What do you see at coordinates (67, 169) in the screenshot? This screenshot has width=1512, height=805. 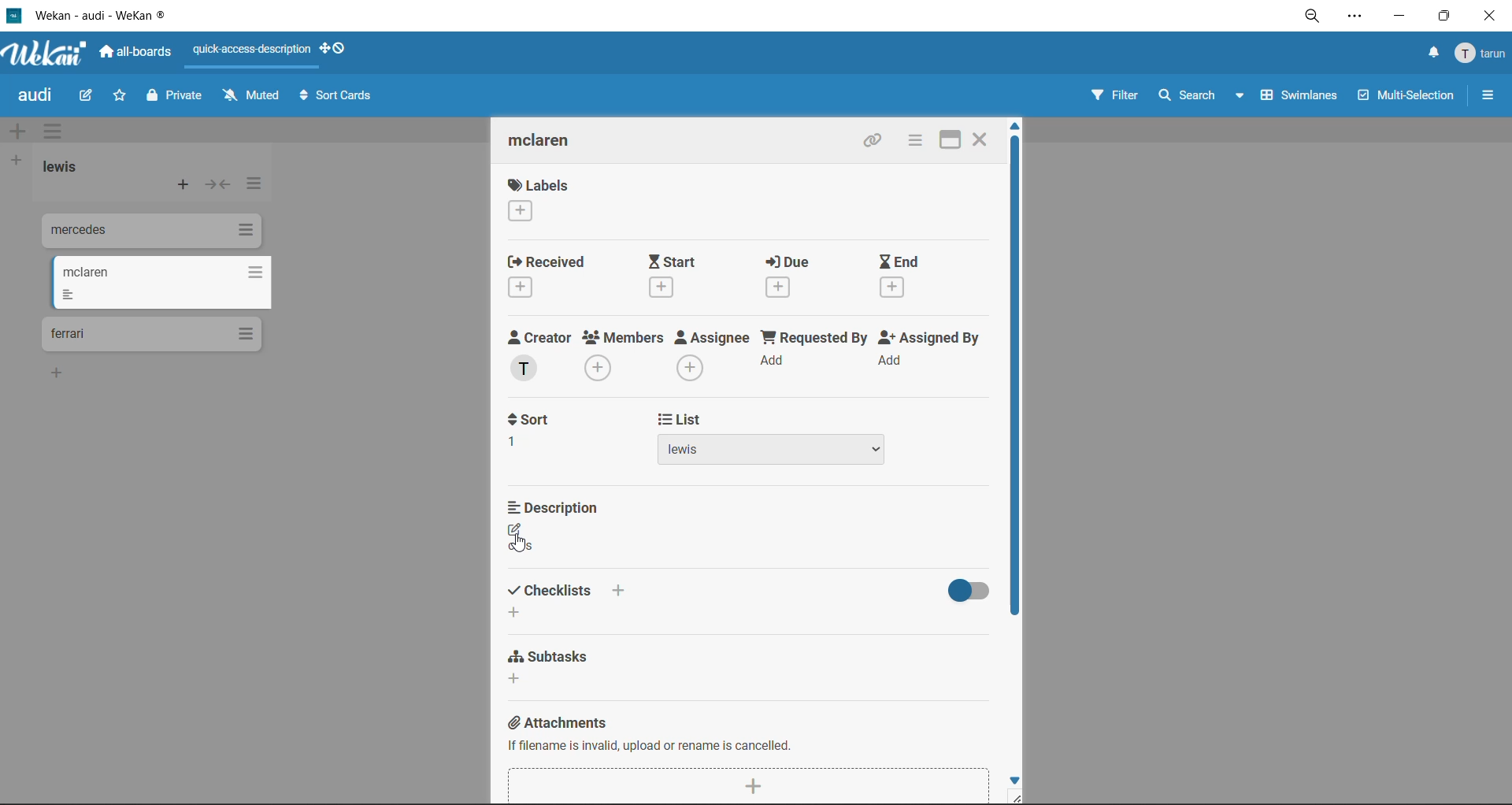 I see `list title` at bounding box center [67, 169].